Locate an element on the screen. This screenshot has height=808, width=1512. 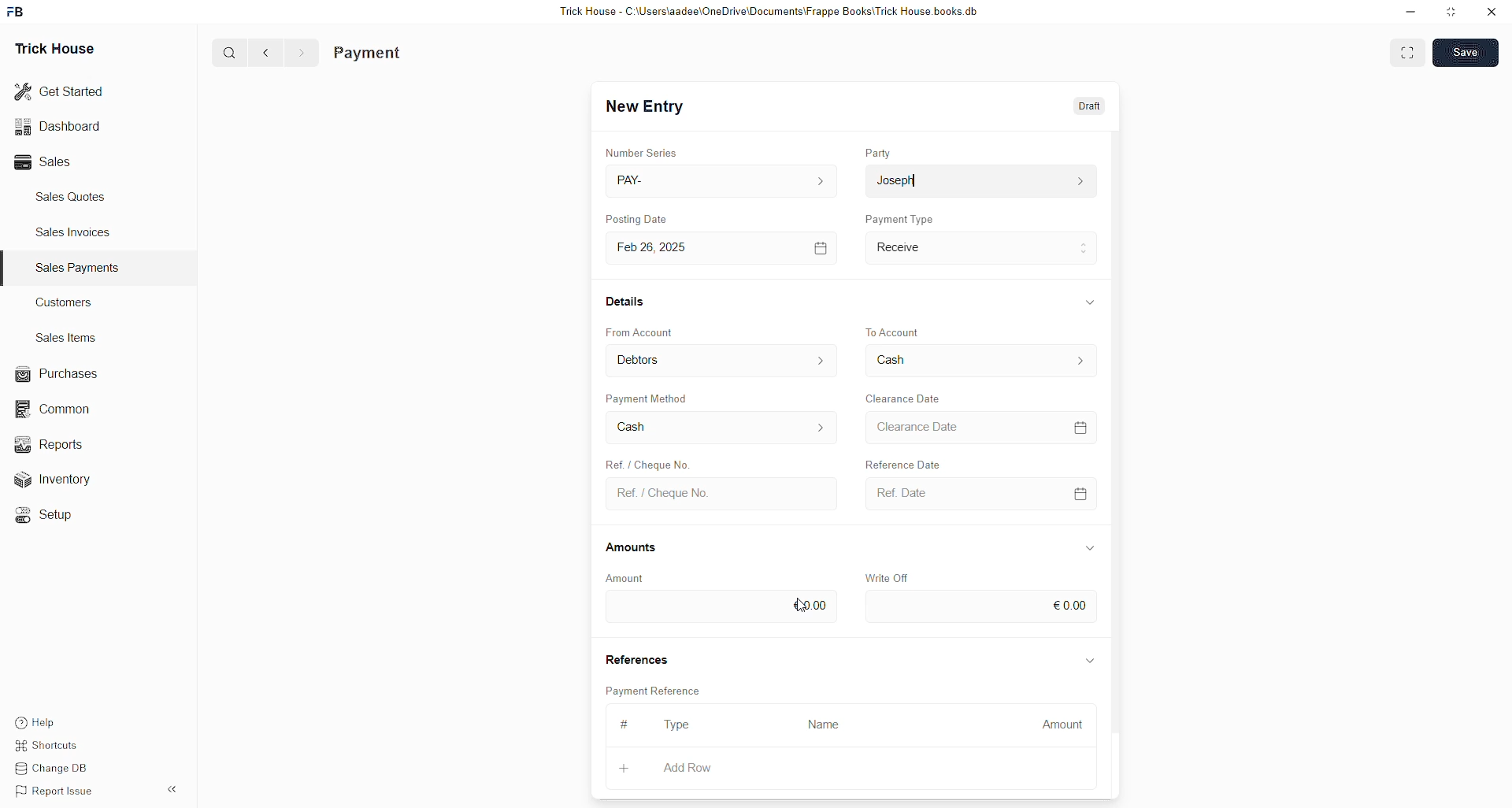
New Entry is located at coordinates (645, 106).